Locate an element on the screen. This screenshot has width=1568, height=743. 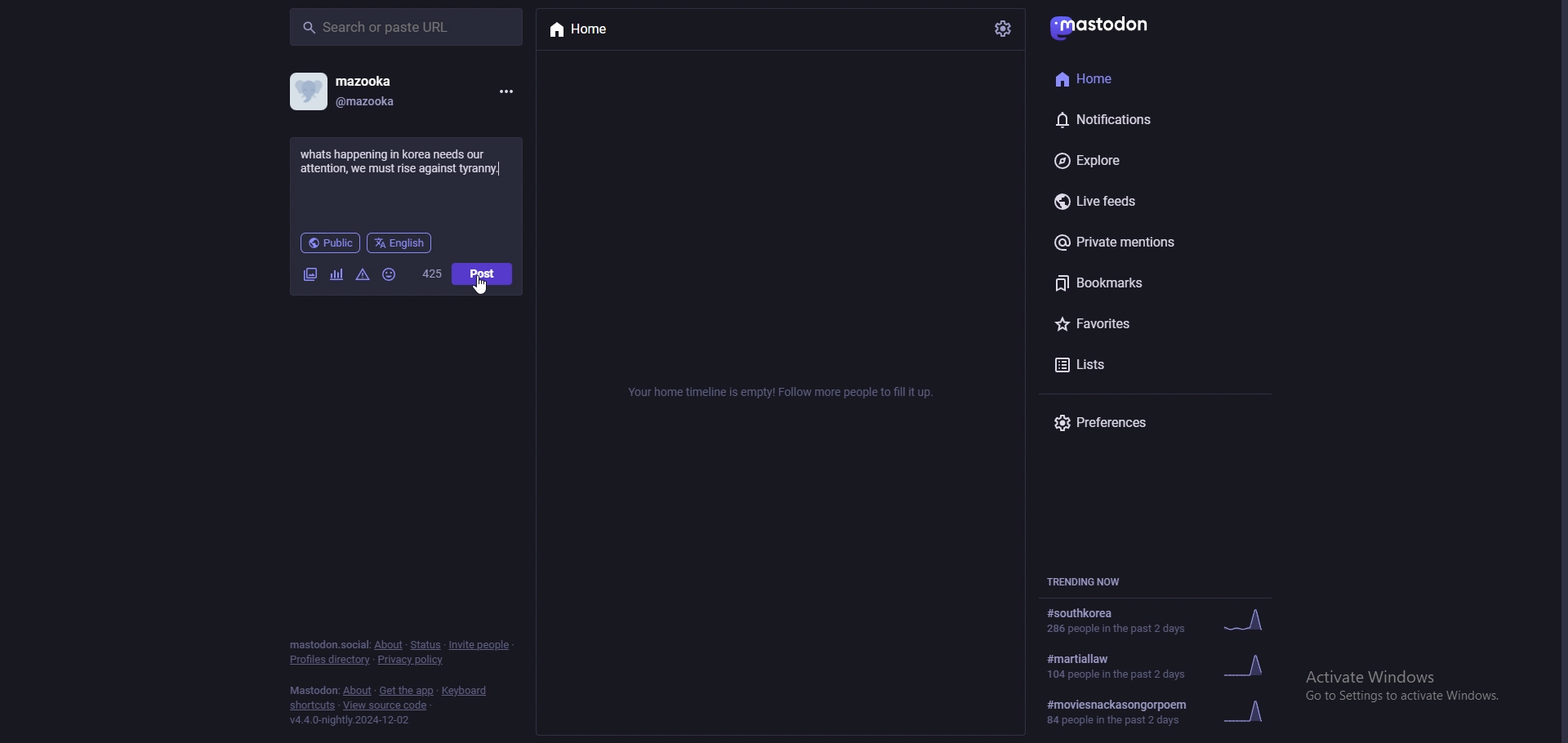
post is located at coordinates (483, 274).